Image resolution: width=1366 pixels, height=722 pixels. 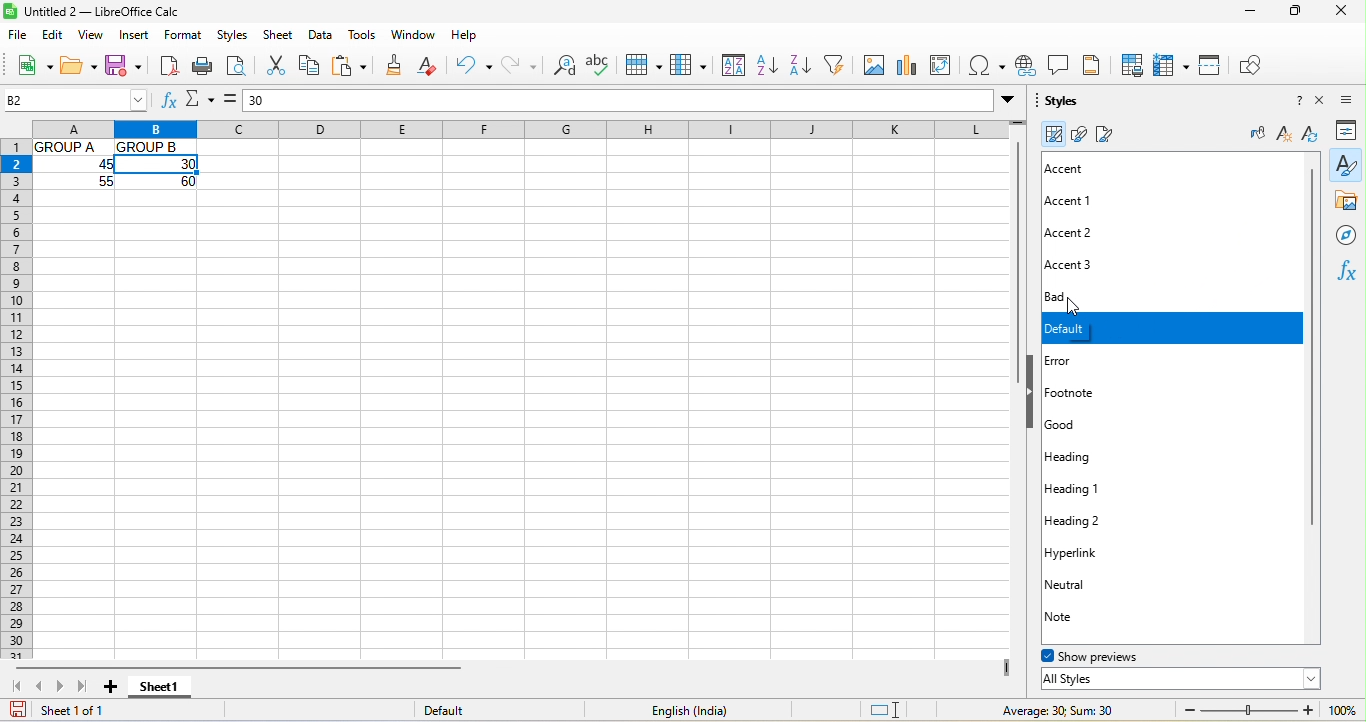 What do you see at coordinates (93, 713) in the screenshot?
I see `sheet 1 of 1` at bounding box center [93, 713].